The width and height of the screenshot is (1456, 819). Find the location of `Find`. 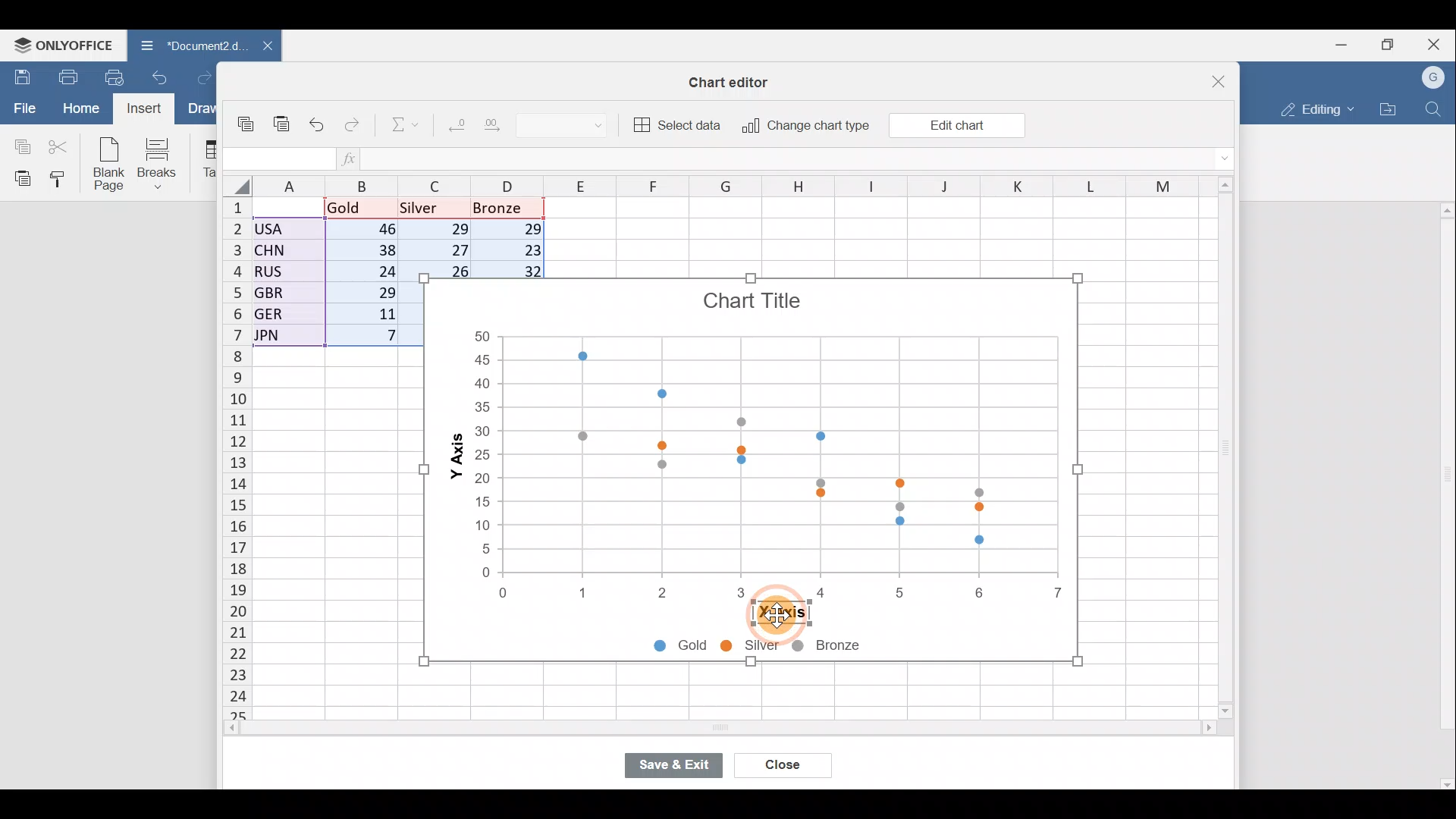

Find is located at coordinates (1434, 109).